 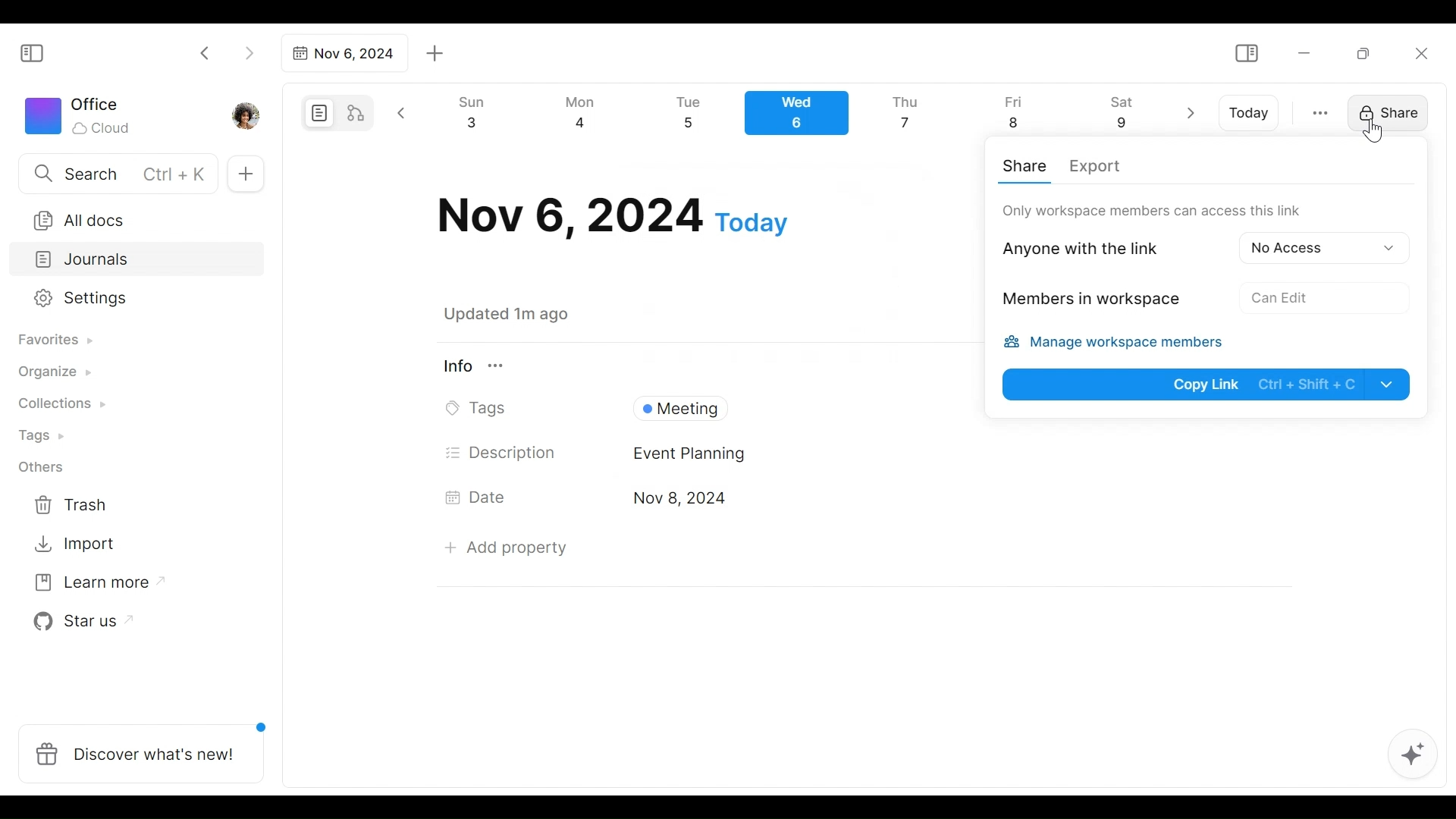 I want to click on Others, so click(x=42, y=467).